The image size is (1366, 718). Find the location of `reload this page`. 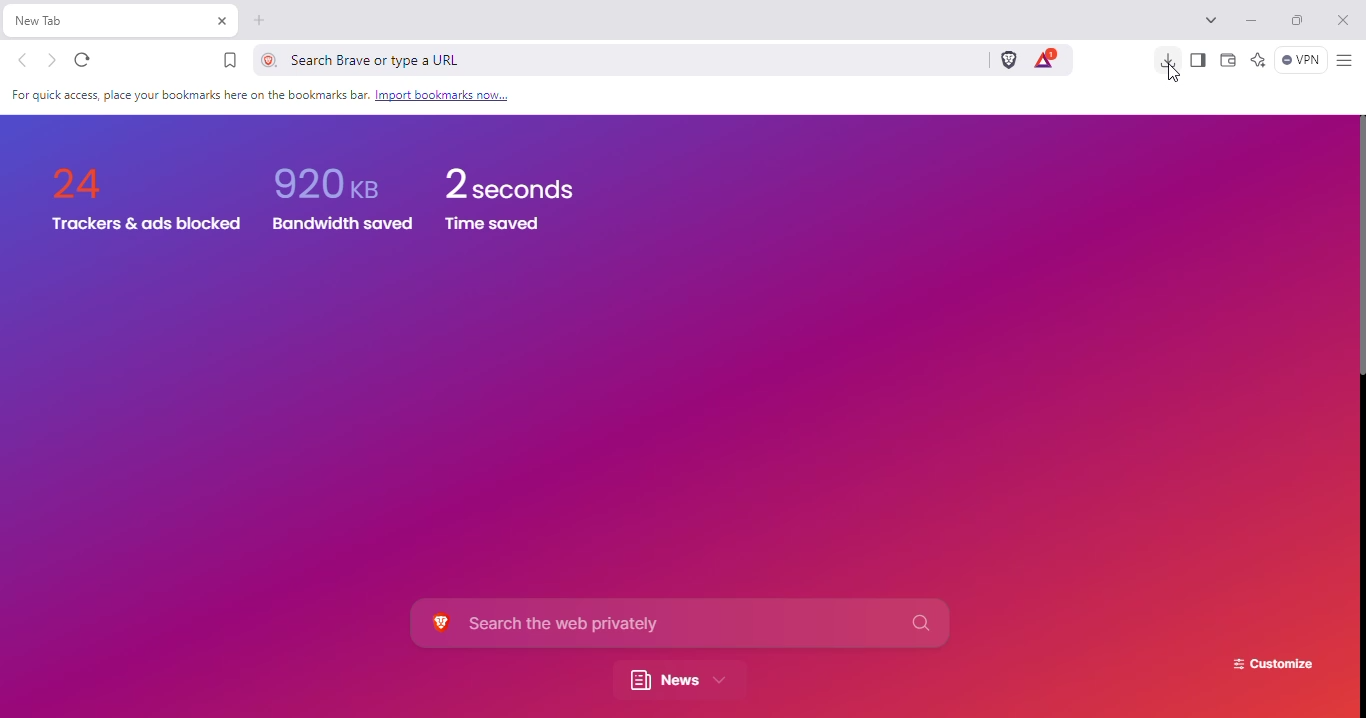

reload this page is located at coordinates (82, 61).